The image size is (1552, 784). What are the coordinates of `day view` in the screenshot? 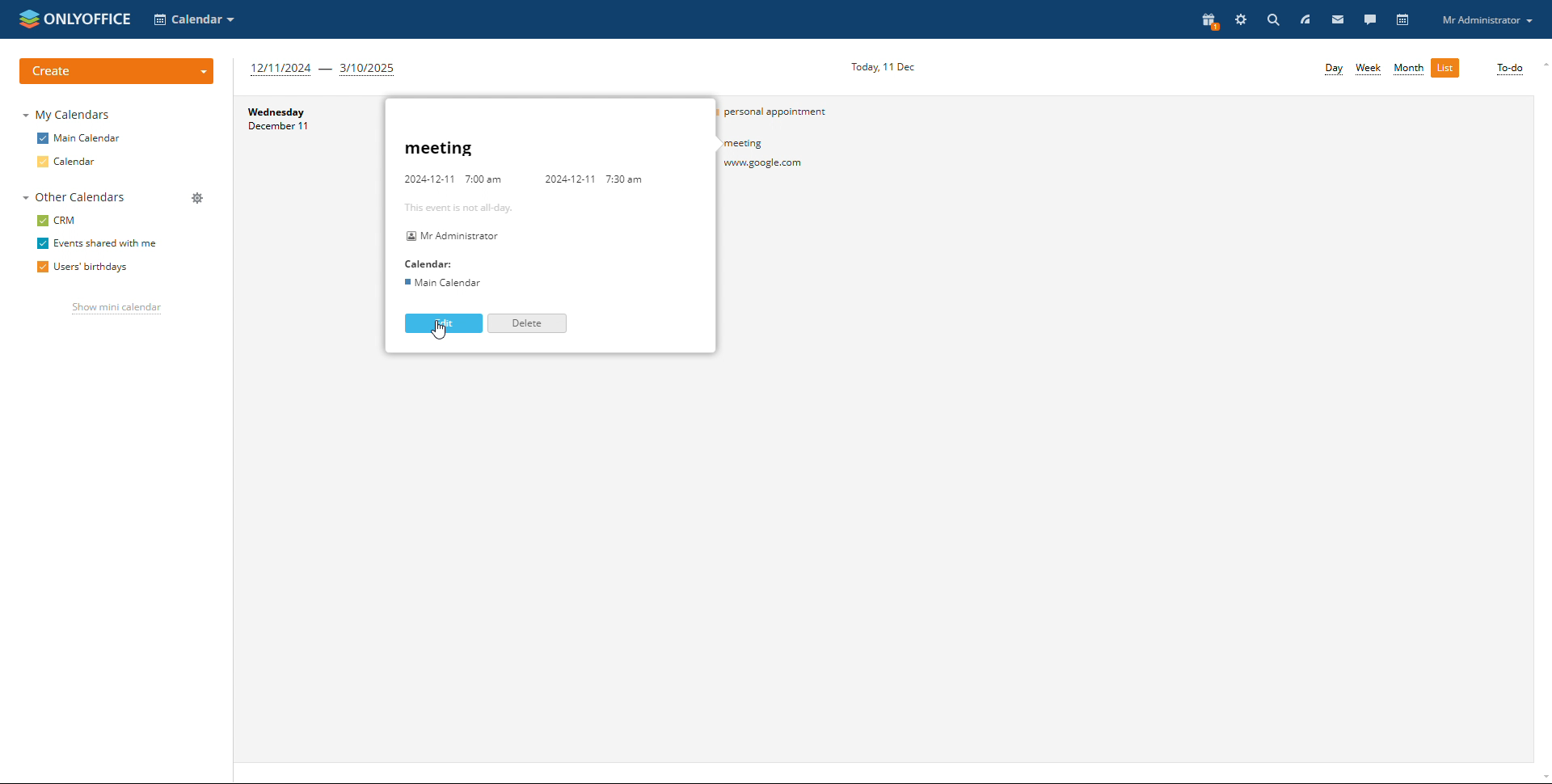 It's located at (1334, 70).